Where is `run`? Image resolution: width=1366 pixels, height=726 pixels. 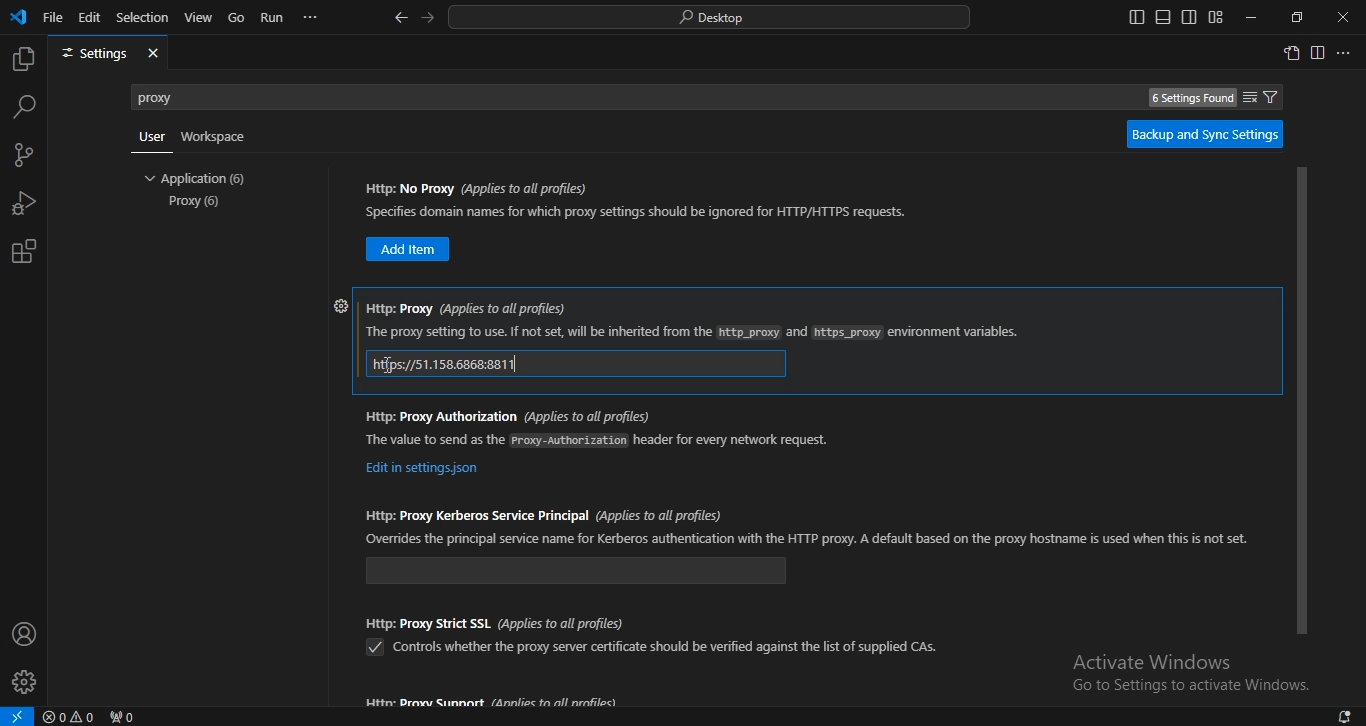 run is located at coordinates (273, 18).